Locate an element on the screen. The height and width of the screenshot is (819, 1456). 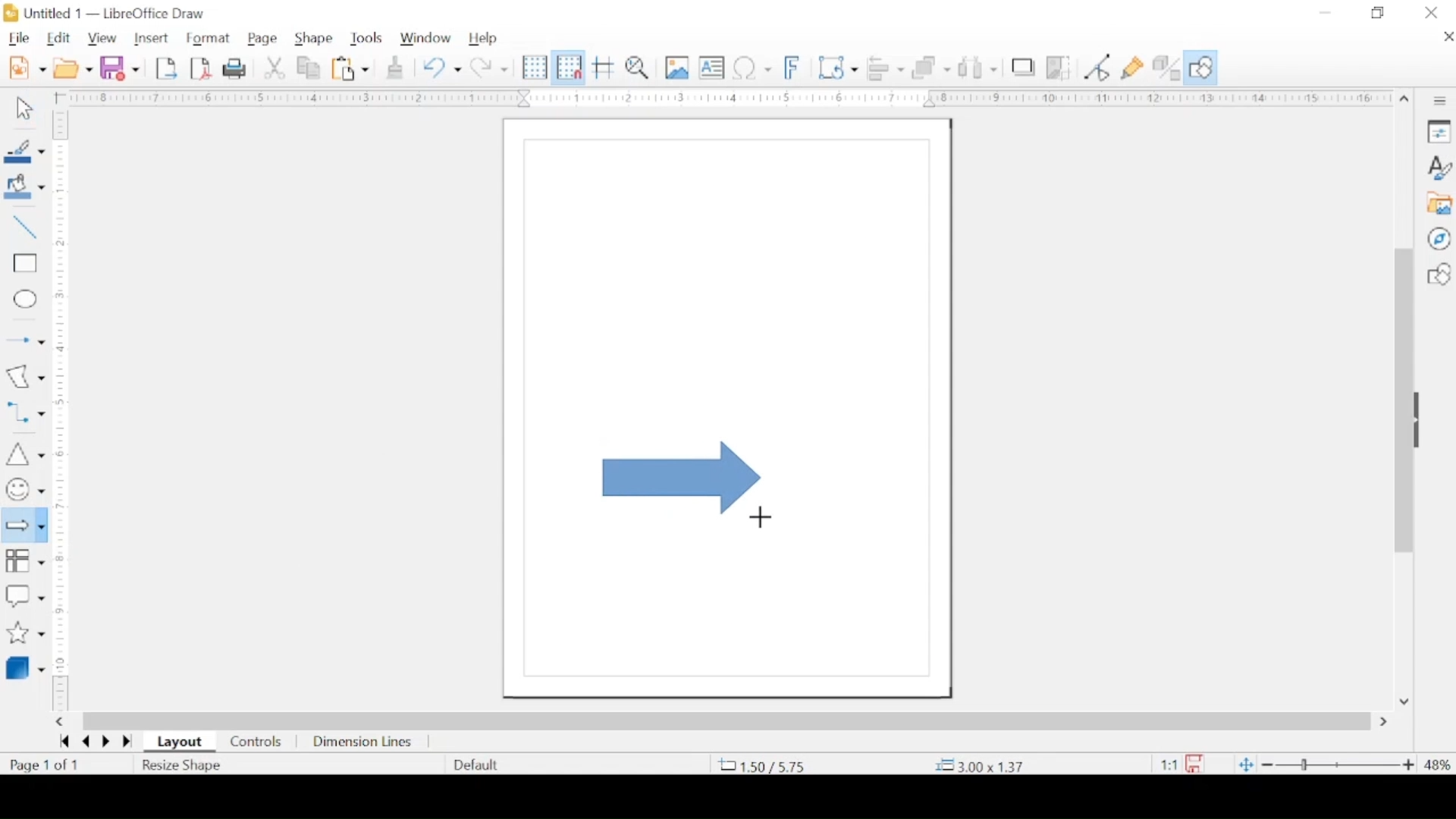
insert textbox is located at coordinates (711, 67).